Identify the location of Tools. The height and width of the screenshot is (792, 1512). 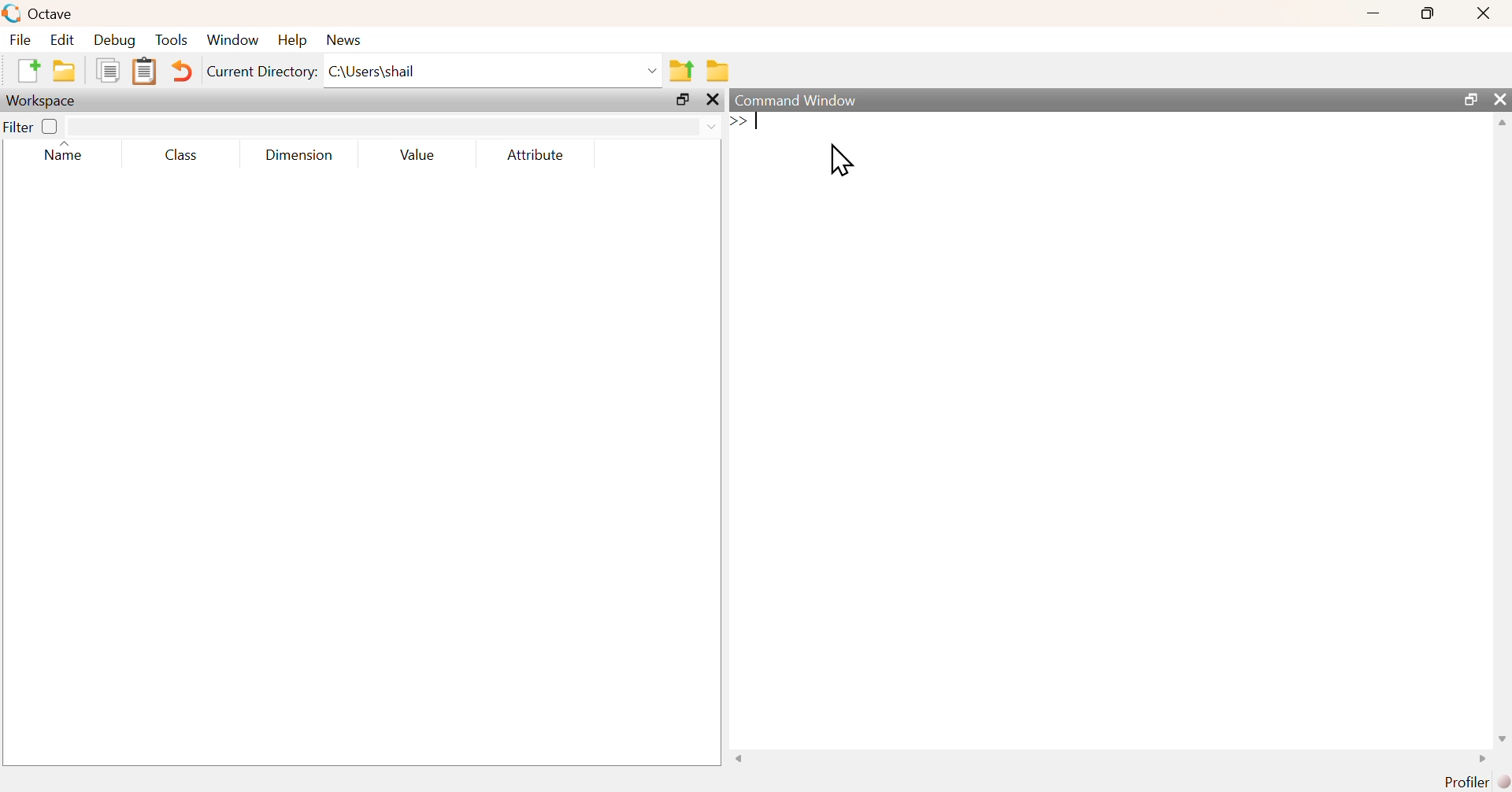
(172, 41).